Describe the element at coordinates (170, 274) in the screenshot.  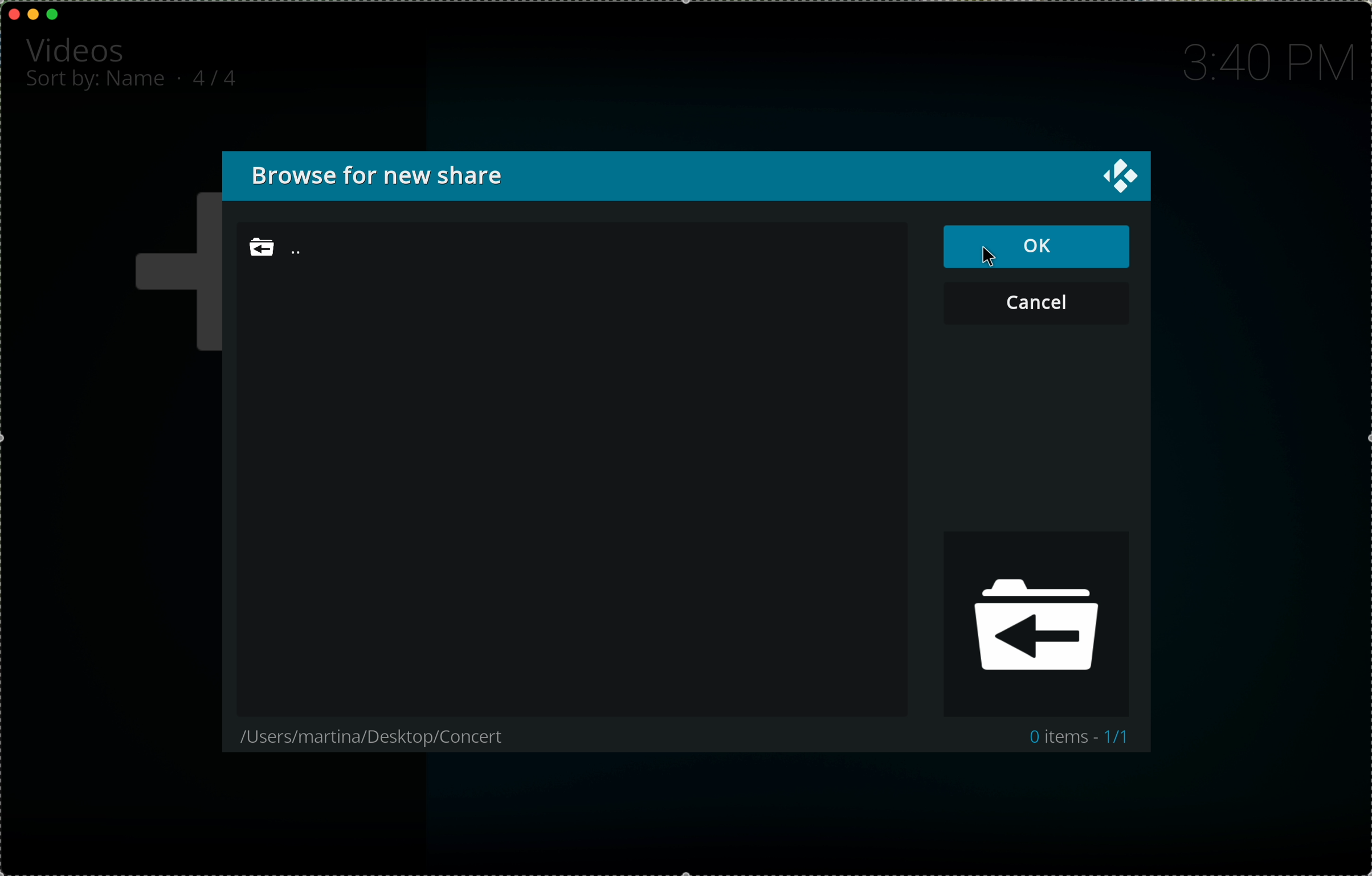
I see `plus icon` at that location.